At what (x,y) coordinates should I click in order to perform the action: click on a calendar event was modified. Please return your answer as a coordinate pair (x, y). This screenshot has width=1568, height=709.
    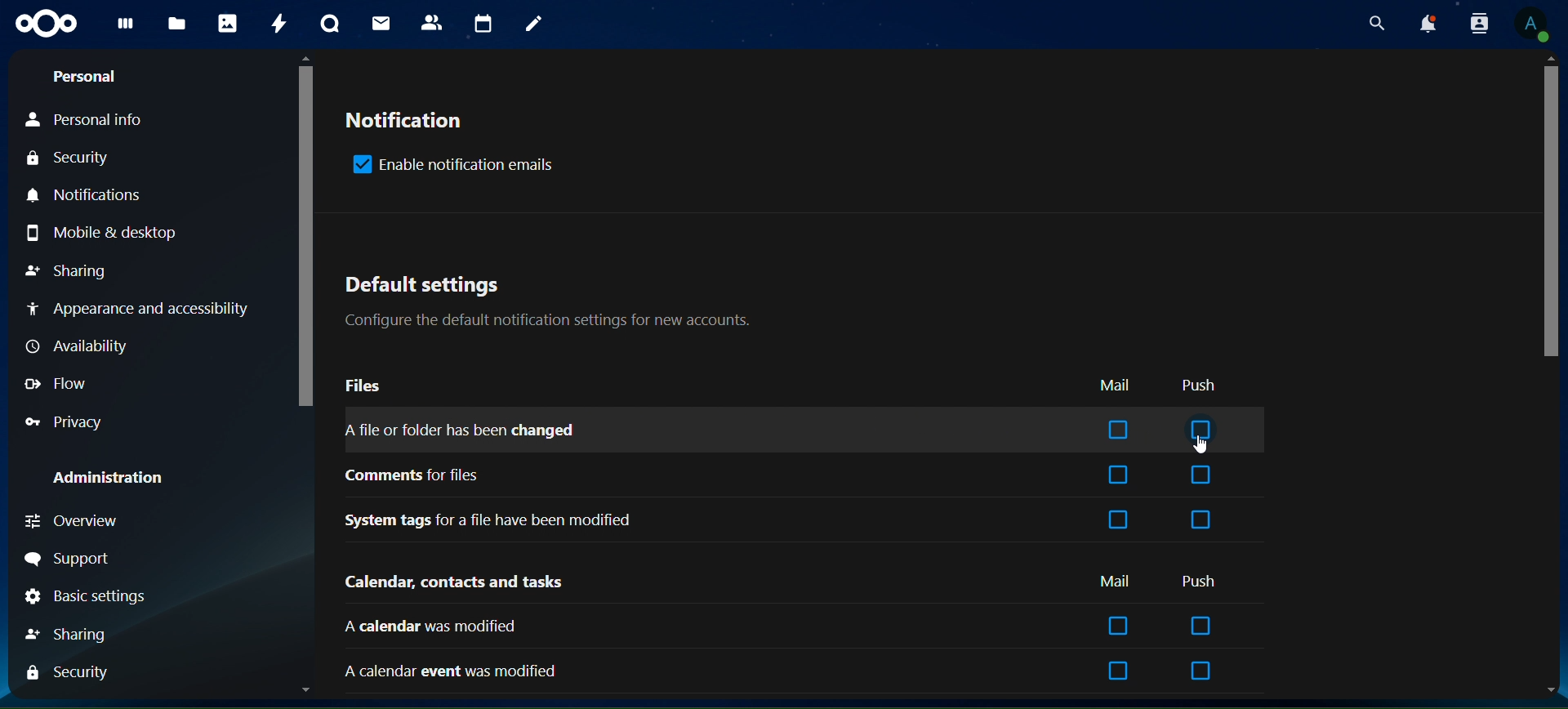
    Looking at the image, I should click on (452, 667).